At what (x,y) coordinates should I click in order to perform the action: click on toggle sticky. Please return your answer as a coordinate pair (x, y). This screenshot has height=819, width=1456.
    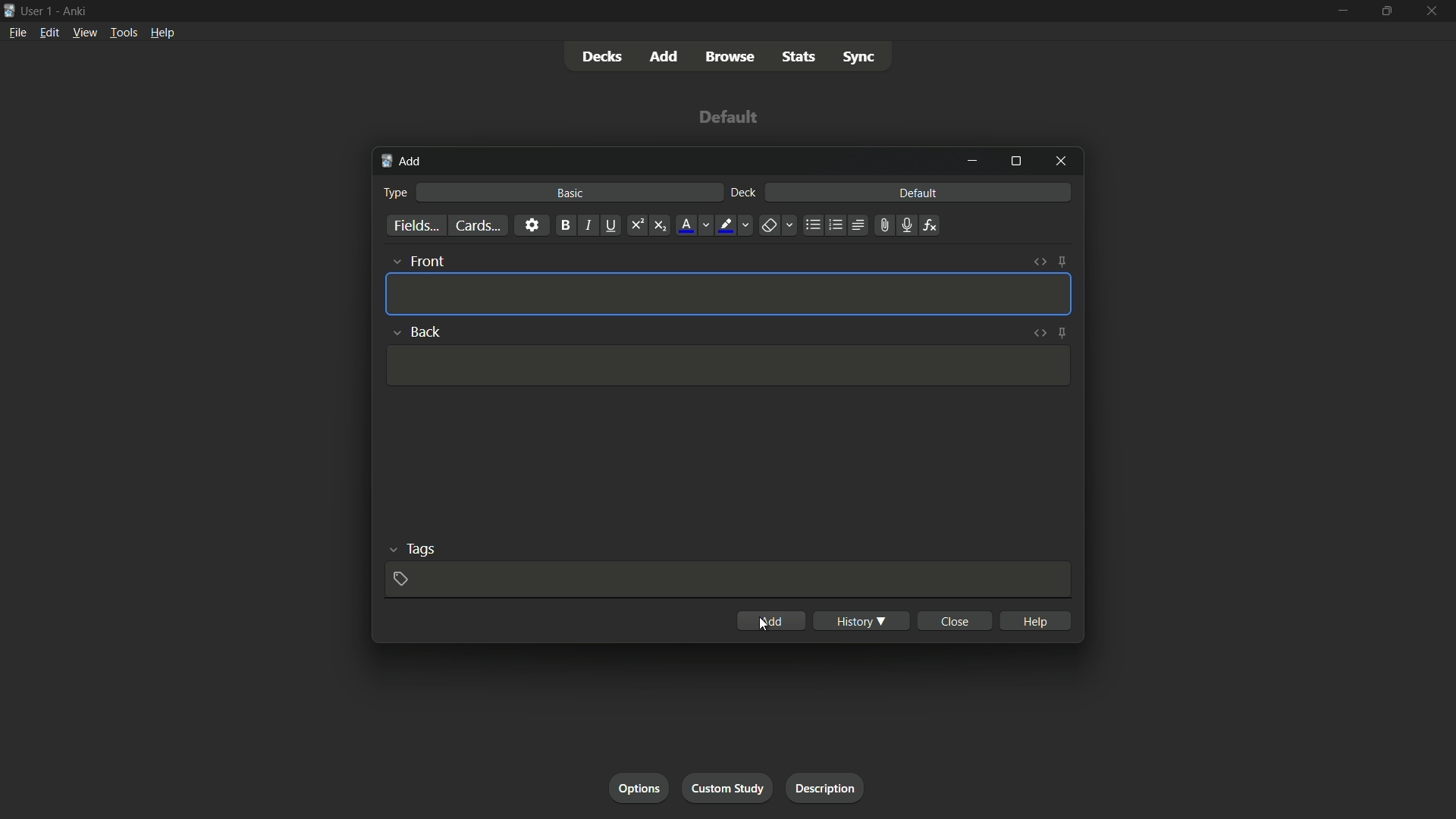
    Looking at the image, I should click on (1062, 331).